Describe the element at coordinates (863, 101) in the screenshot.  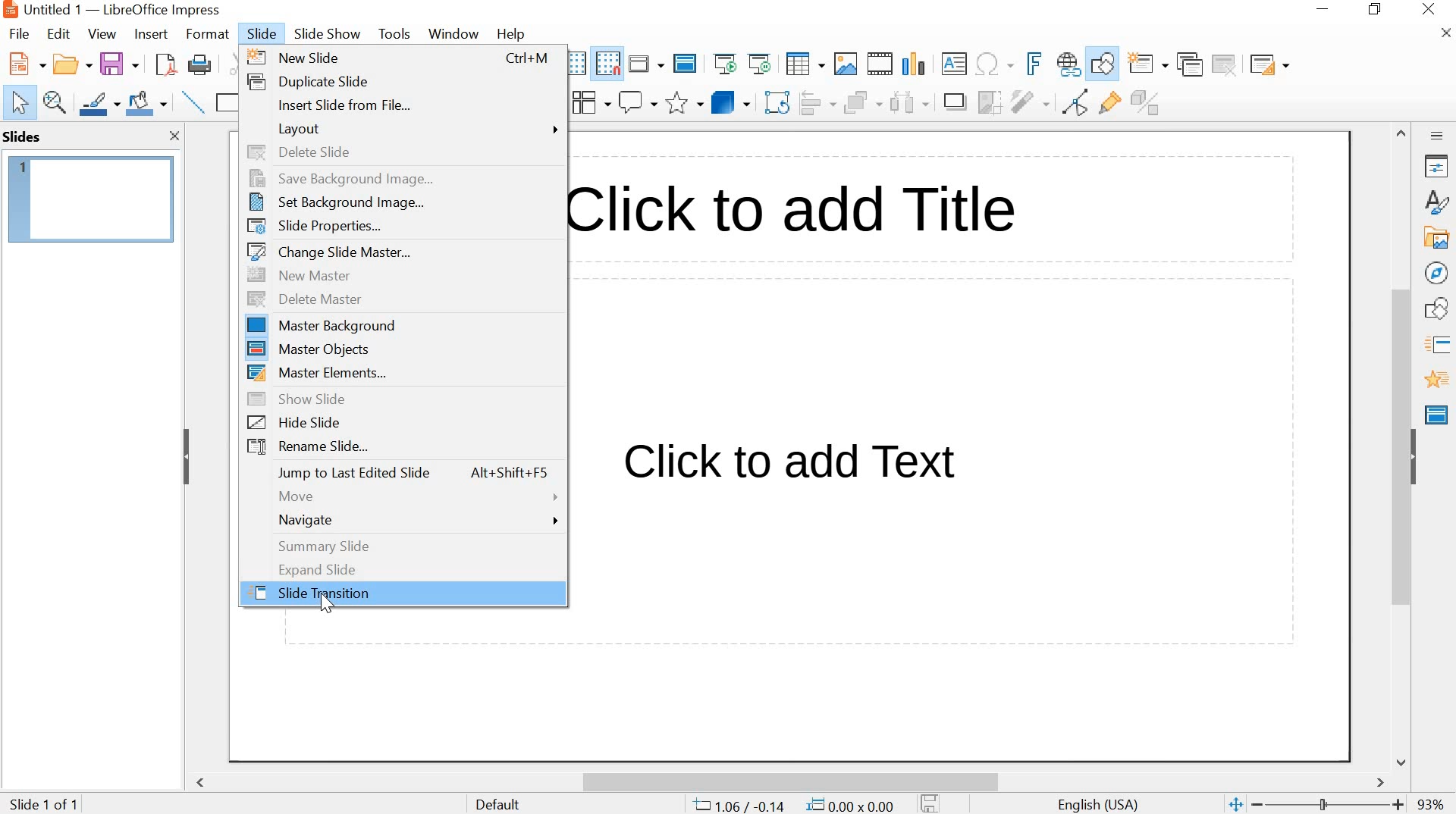
I see `Arrange` at that location.